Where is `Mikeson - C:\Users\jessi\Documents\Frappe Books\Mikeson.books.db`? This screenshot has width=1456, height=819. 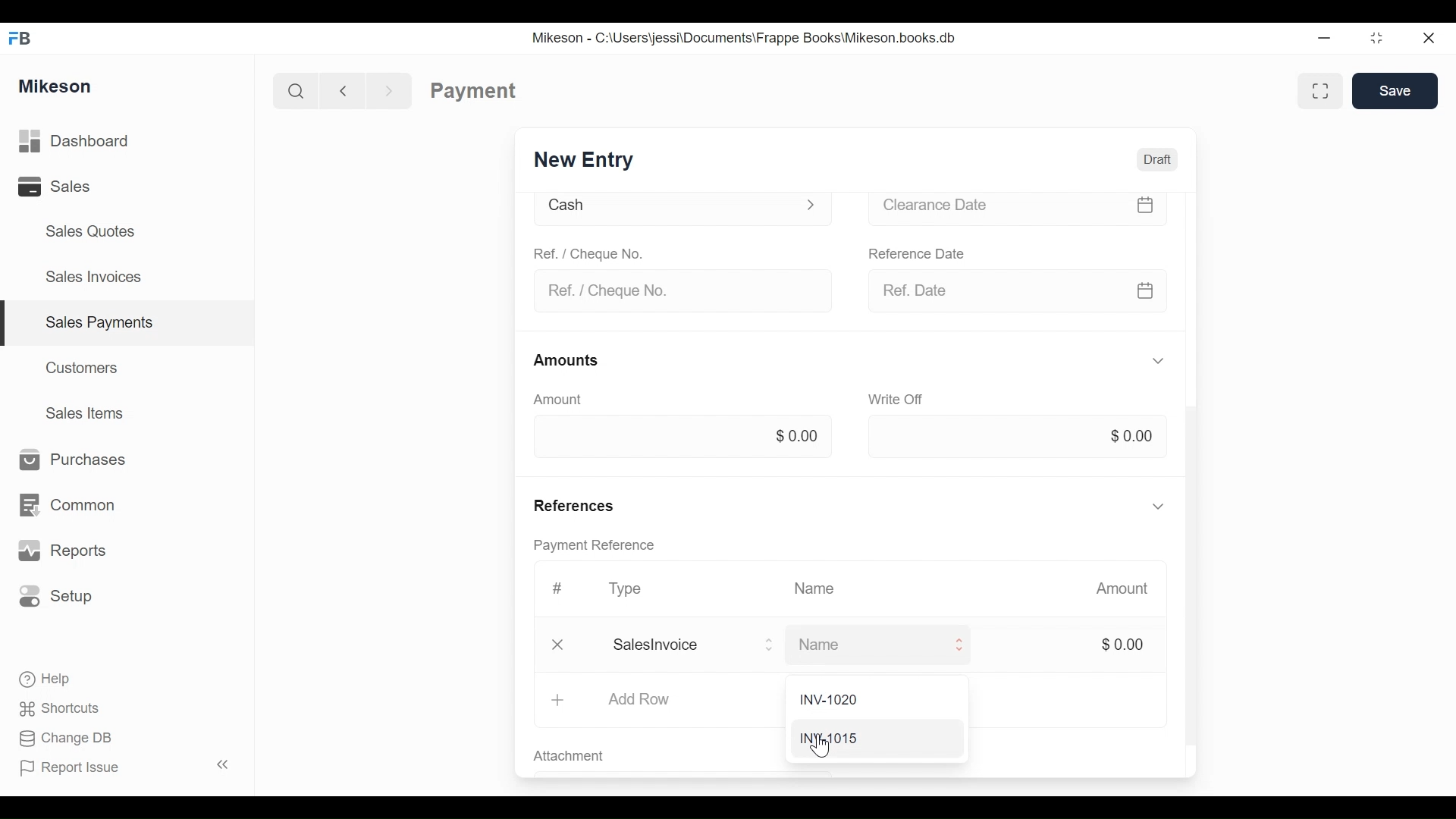 Mikeson - C:\Users\jessi\Documents\Frappe Books\Mikeson.books.db is located at coordinates (745, 38).